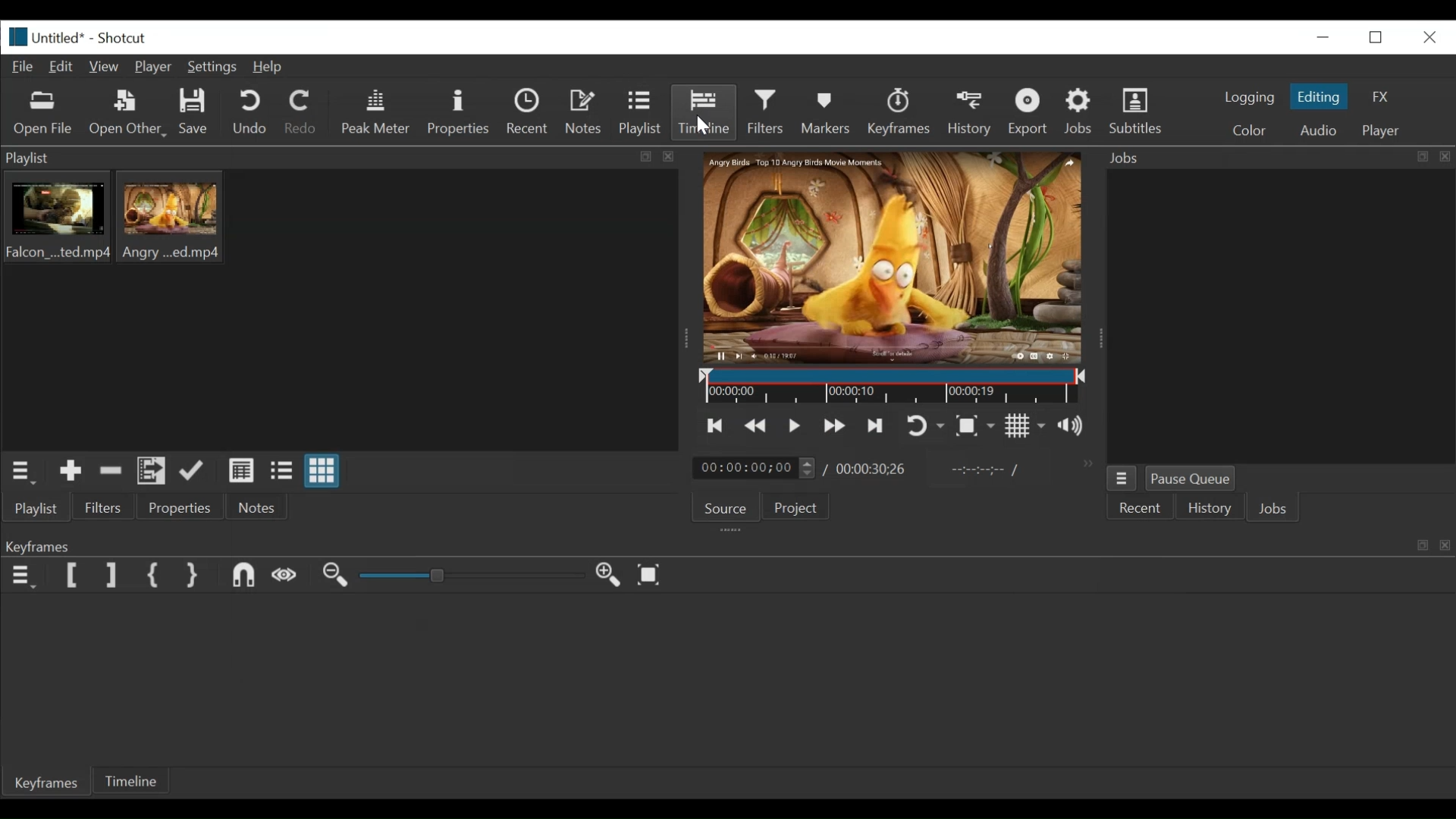 Image resolution: width=1456 pixels, height=819 pixels. Describe the element at coordinates (707, 130) in the screenshot. I see `cursor` at that location.